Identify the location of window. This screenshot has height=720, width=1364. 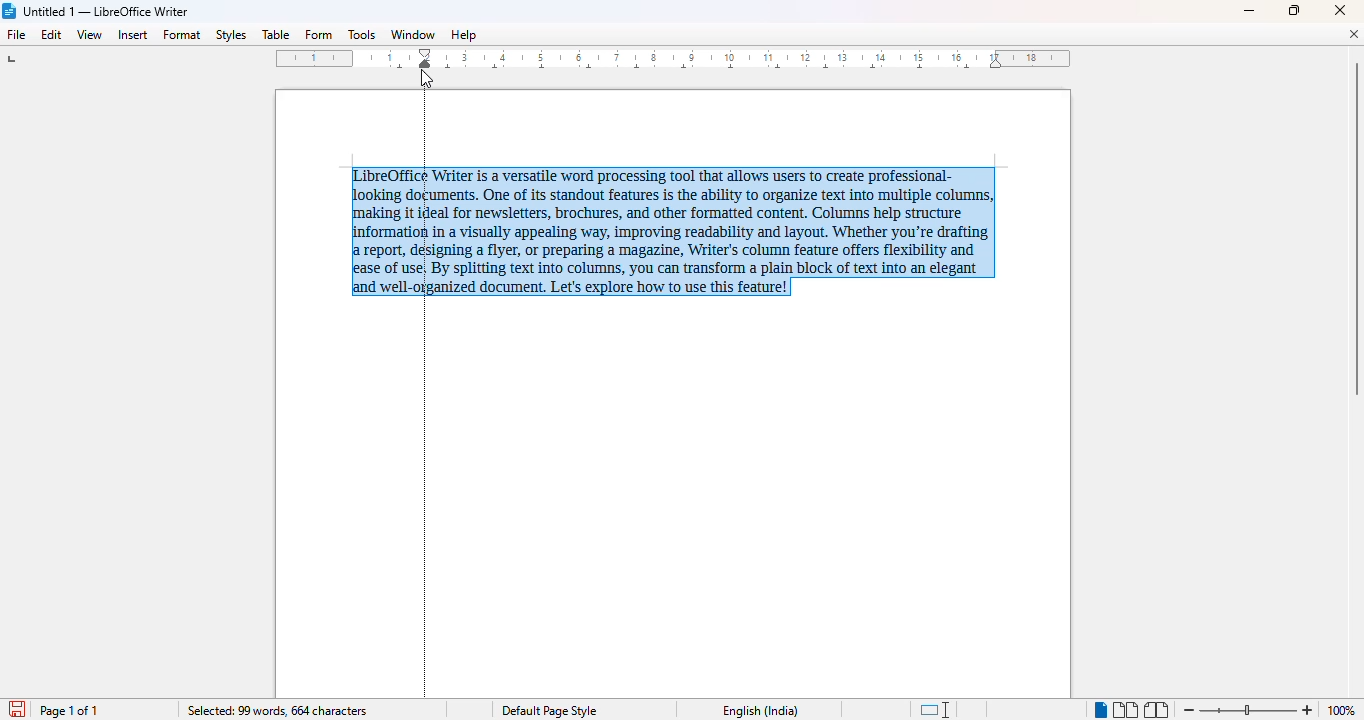
(413, 34).